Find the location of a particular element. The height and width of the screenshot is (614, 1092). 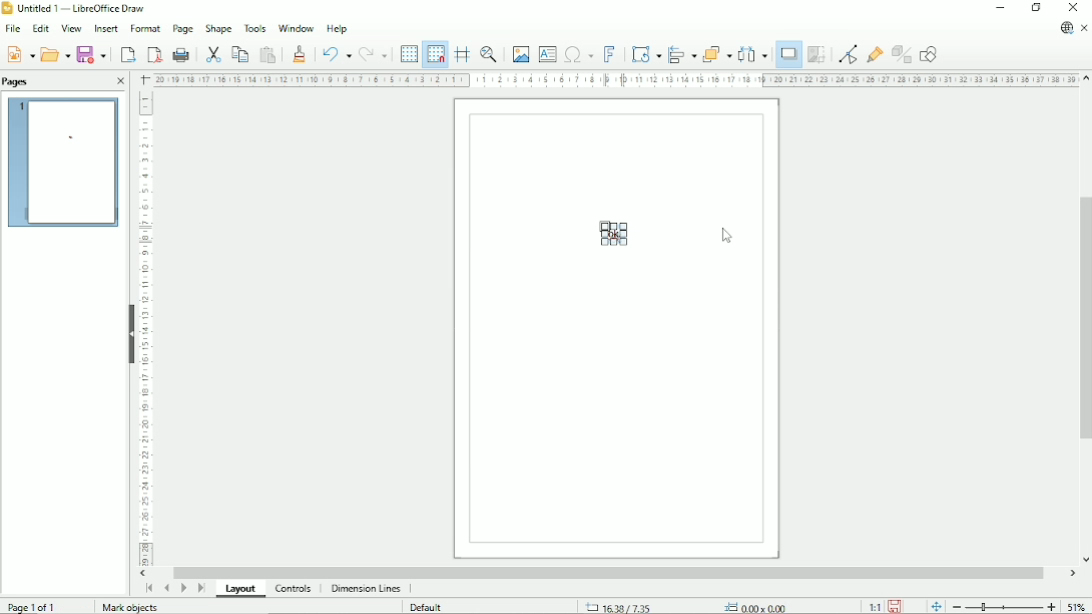

Dimension lines is located at coordinates (366, 588).